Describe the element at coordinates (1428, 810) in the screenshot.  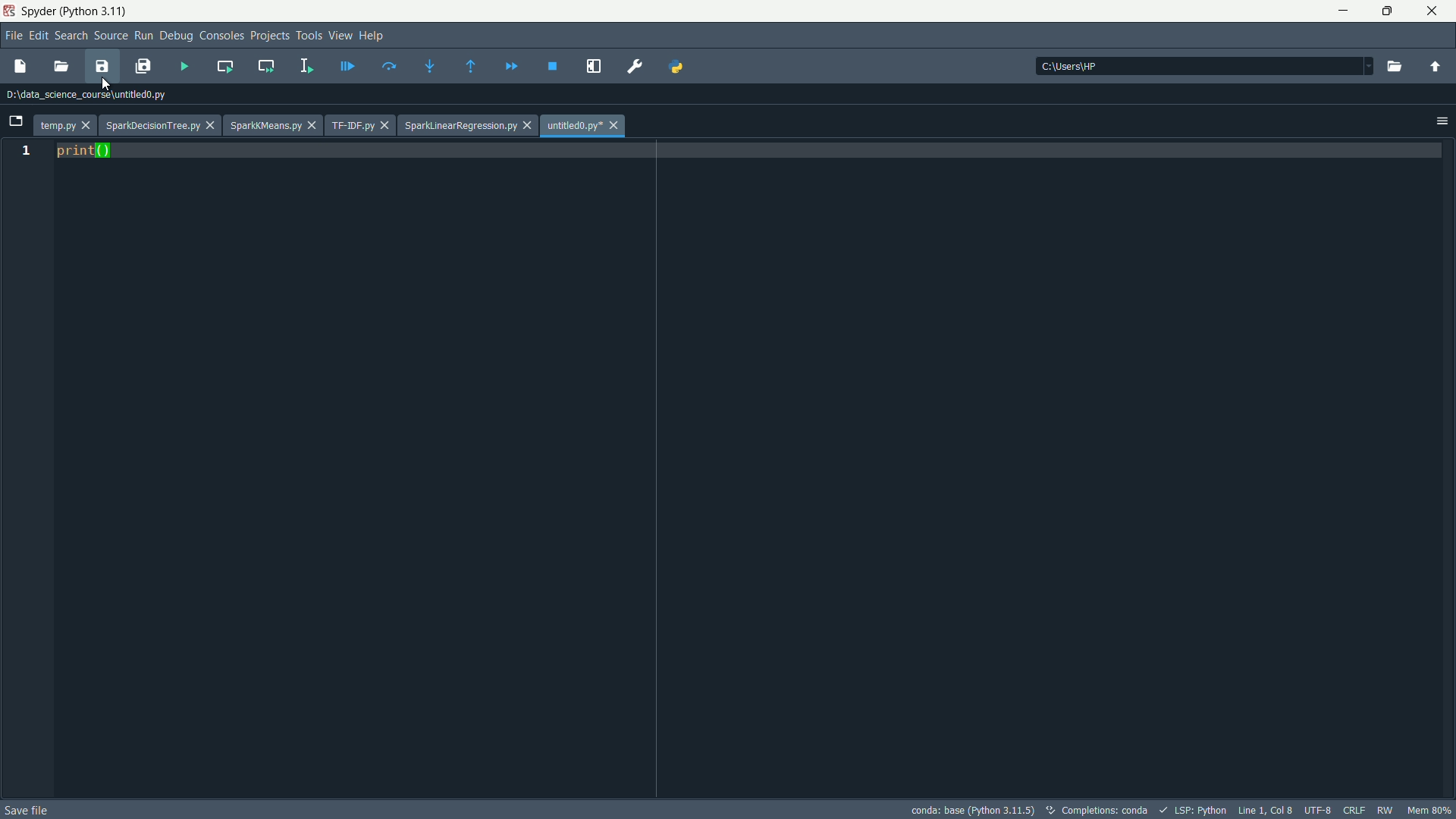
I see `global memory usage` at that location.